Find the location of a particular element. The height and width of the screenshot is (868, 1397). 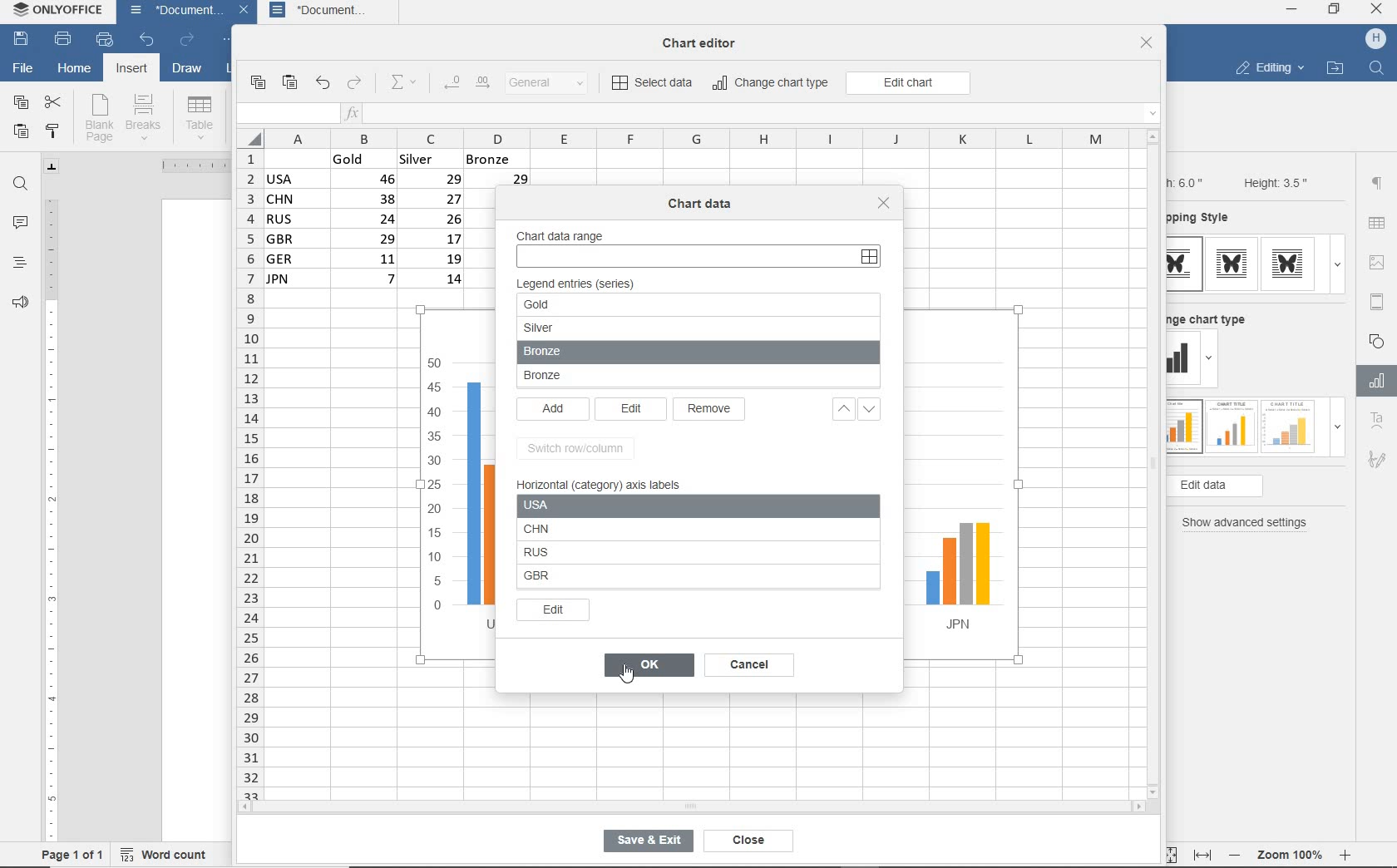

draw is located at coordinates (188, 71).